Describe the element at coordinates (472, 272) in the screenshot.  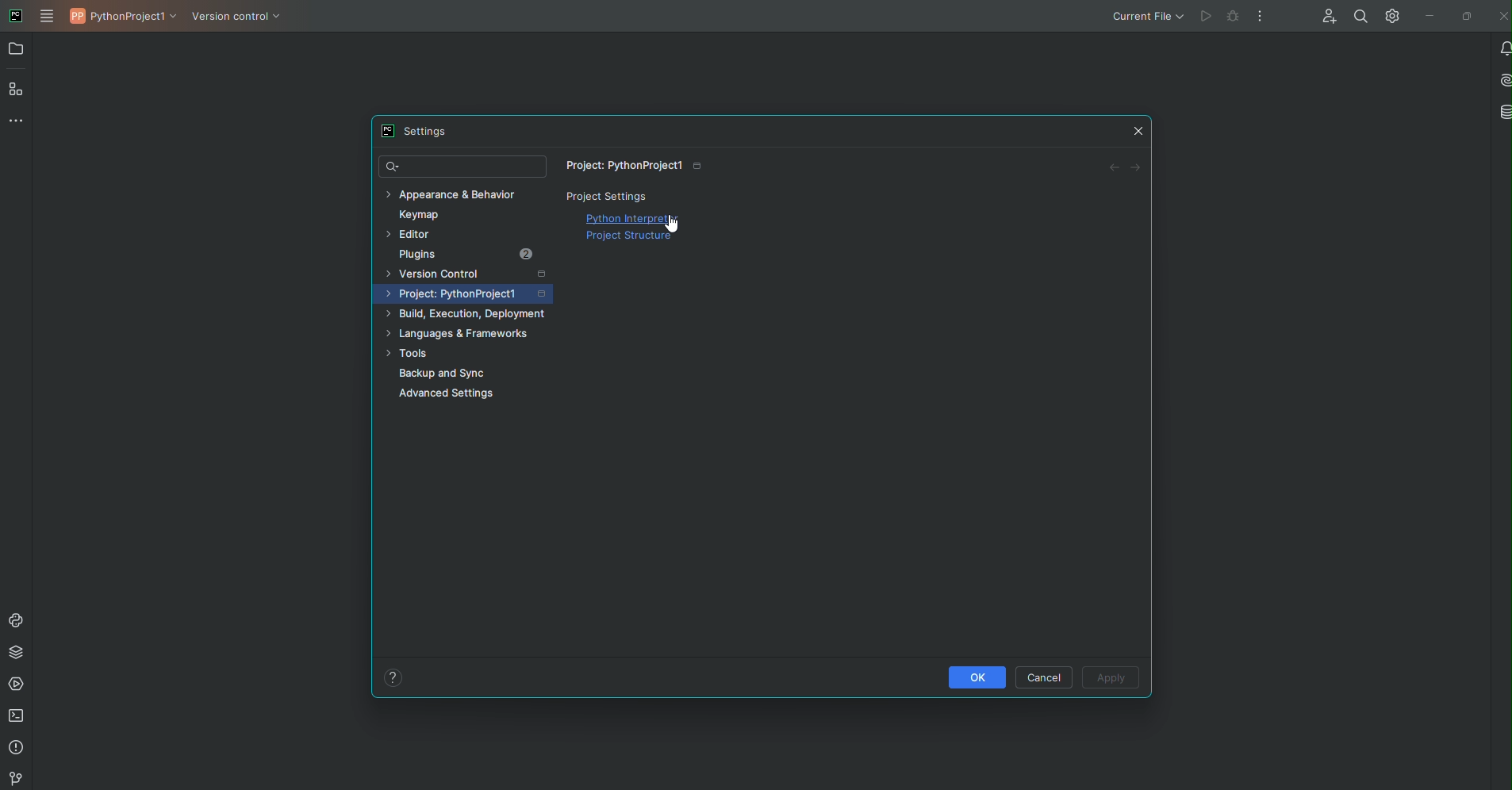
I see `Version Control` at that location.